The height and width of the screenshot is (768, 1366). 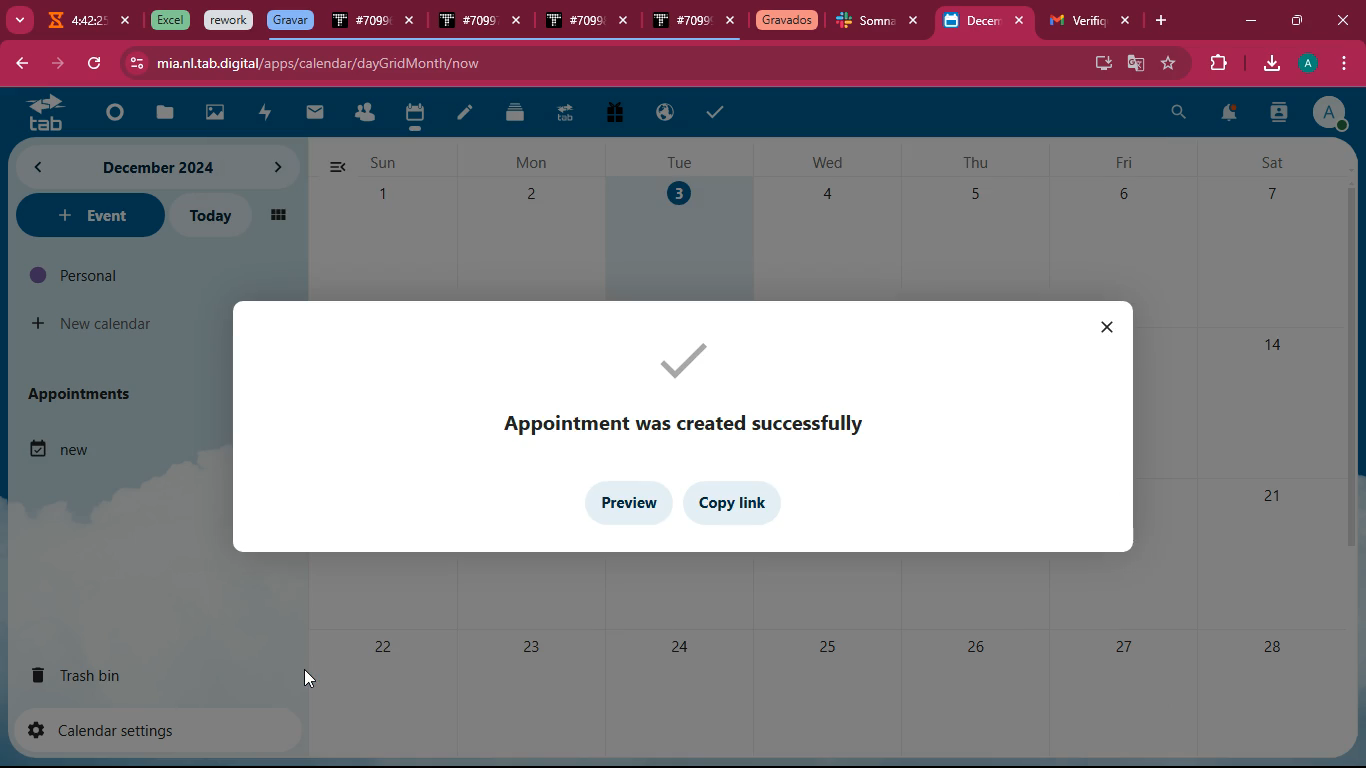 What do you see at coordinates (74, 23) in the screenshot?
I see `tab` at bounding box center [74, 23].